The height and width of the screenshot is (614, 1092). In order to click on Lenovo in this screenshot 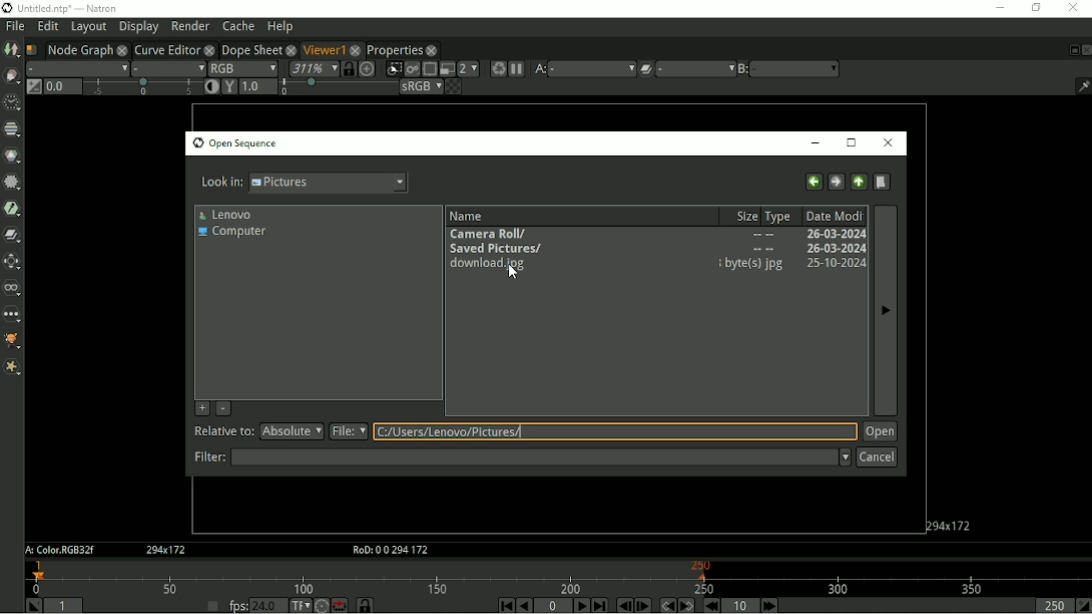, I will do `click(226, 215)`.